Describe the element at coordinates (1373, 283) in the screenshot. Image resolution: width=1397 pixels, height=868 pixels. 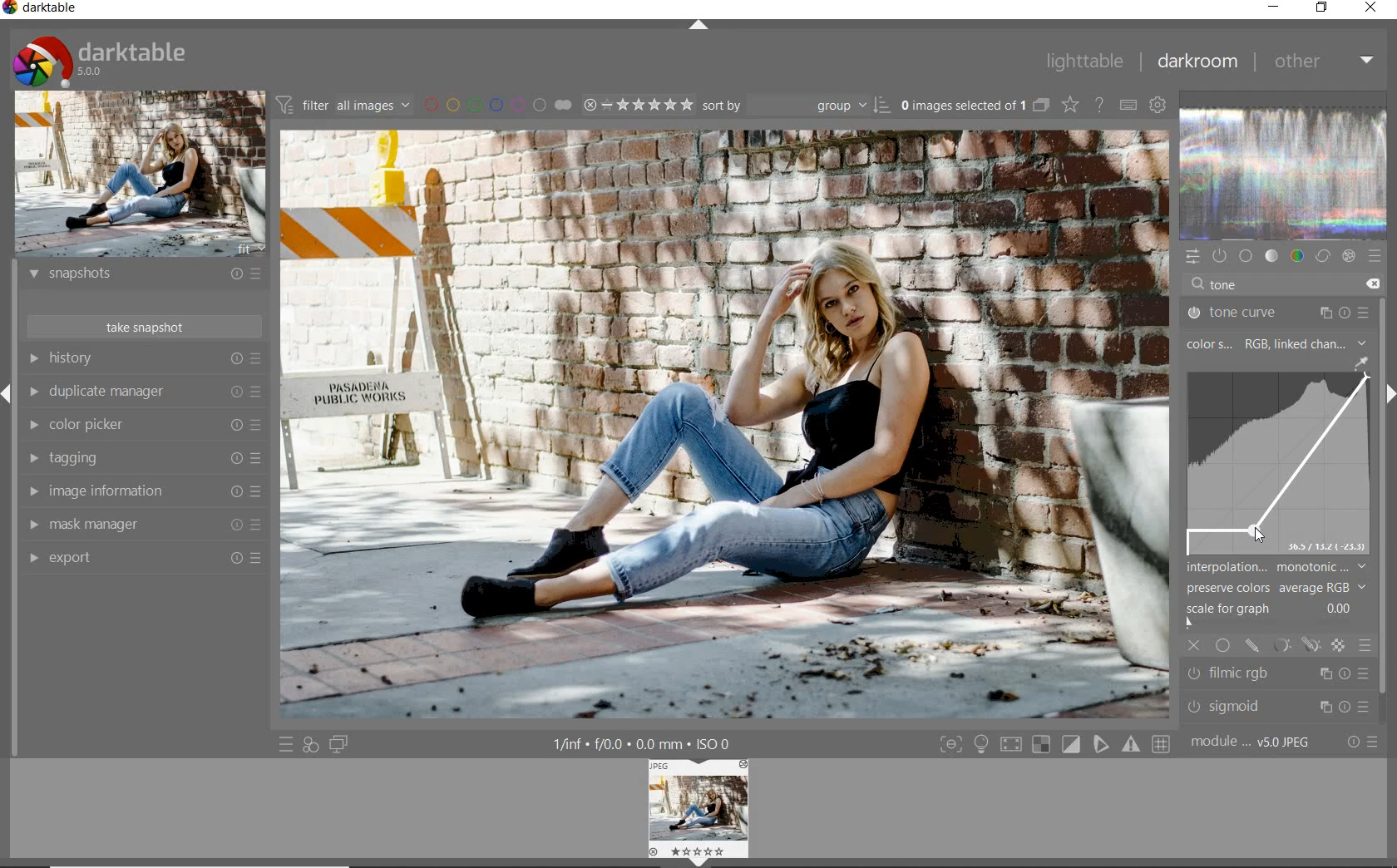
I see `delete` at that location.